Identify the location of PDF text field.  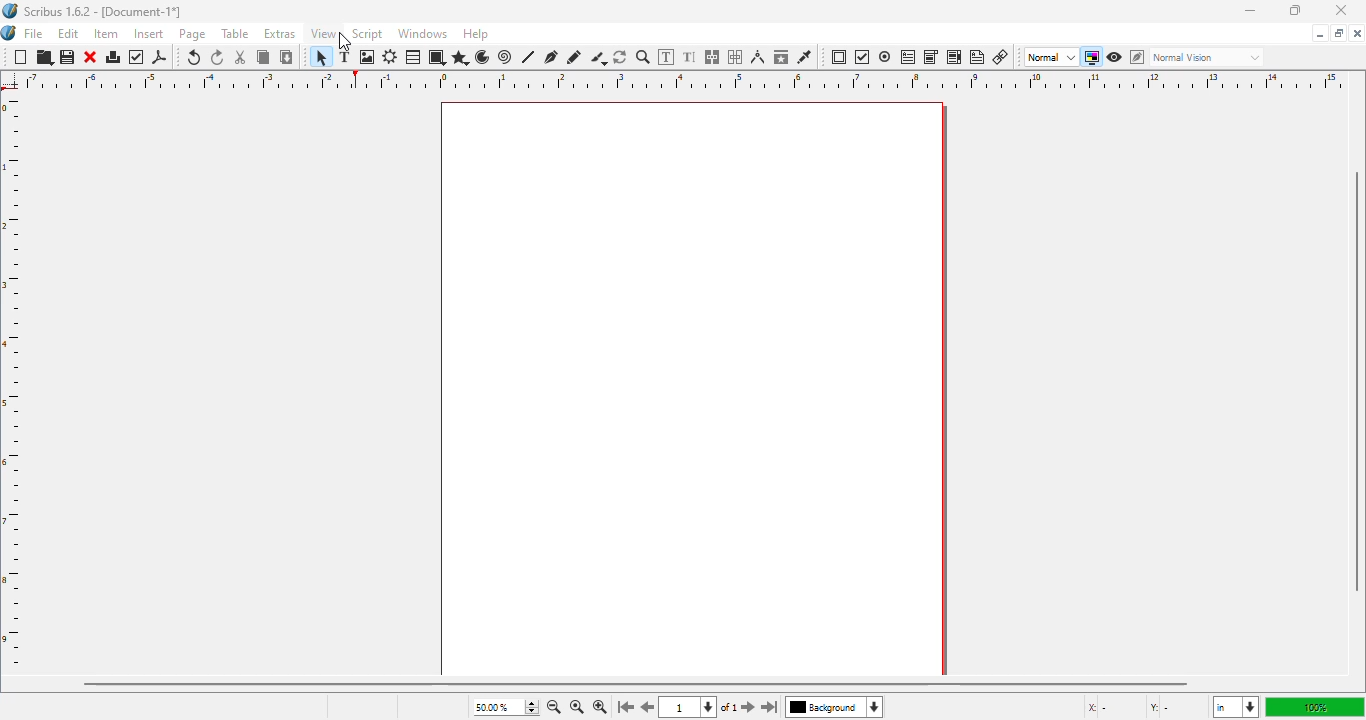
(908, 56).